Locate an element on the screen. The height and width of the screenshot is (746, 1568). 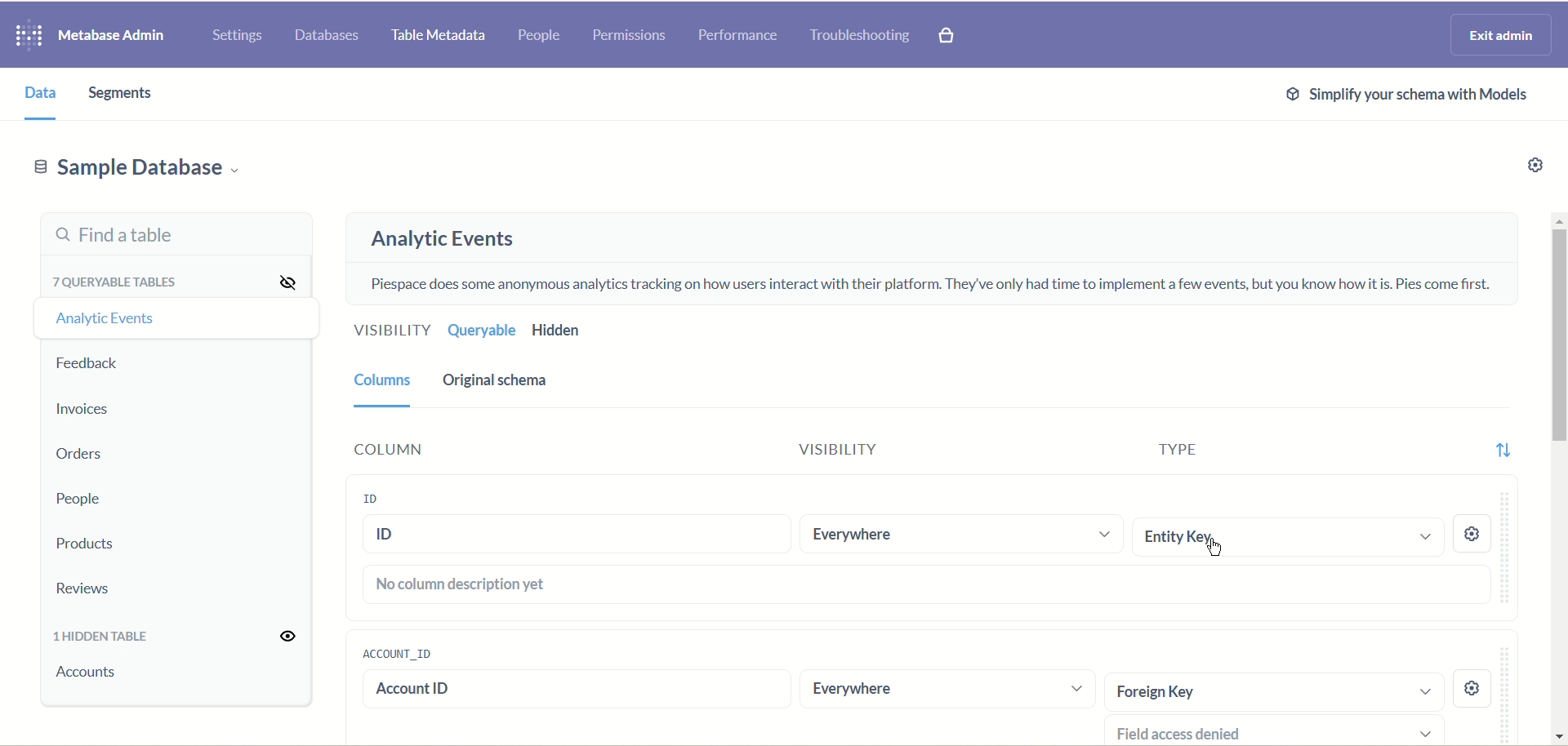
performance is located at coordinates (738, 35).